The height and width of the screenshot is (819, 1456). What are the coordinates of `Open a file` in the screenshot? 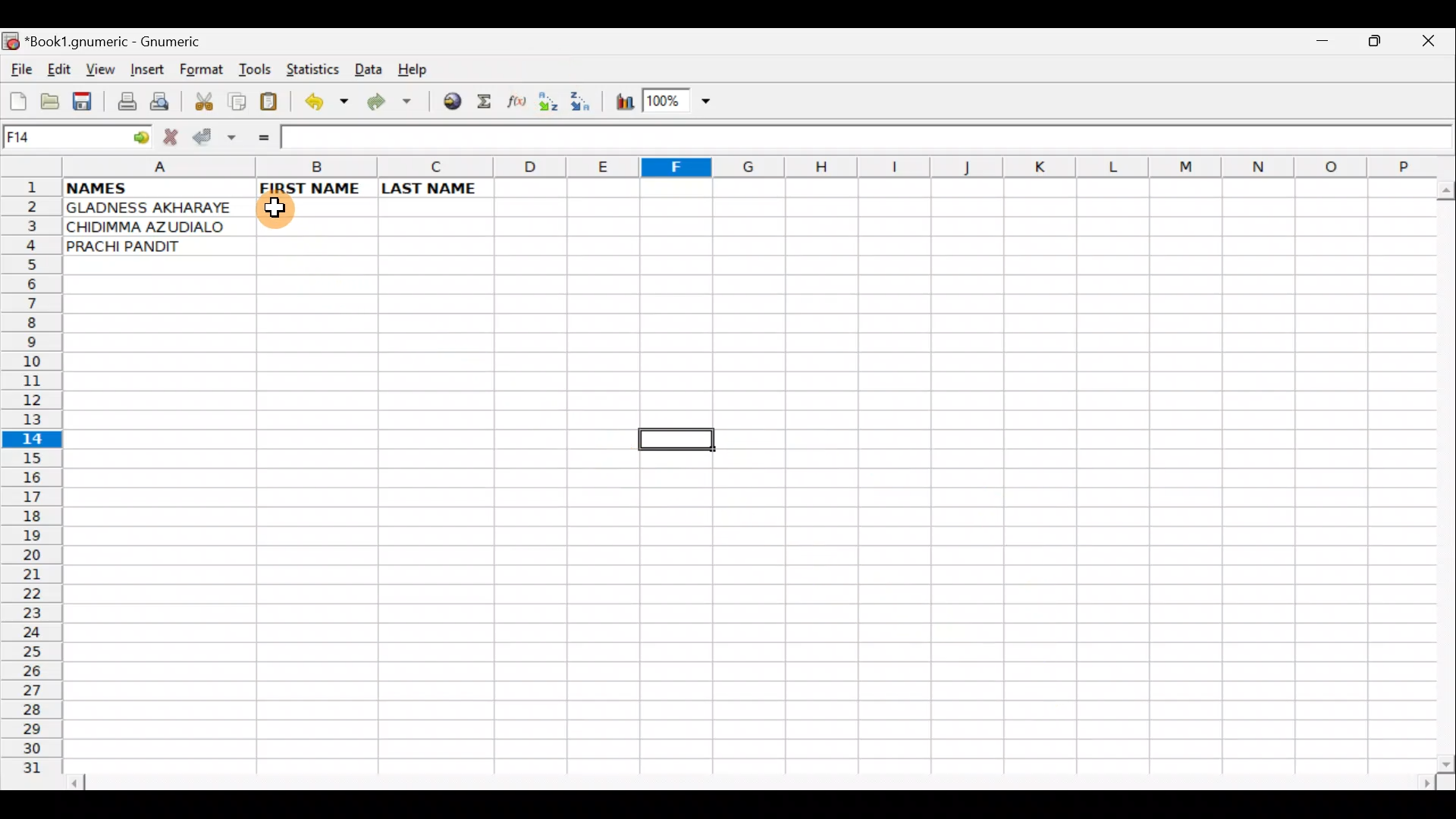 It's located at (53, 99).